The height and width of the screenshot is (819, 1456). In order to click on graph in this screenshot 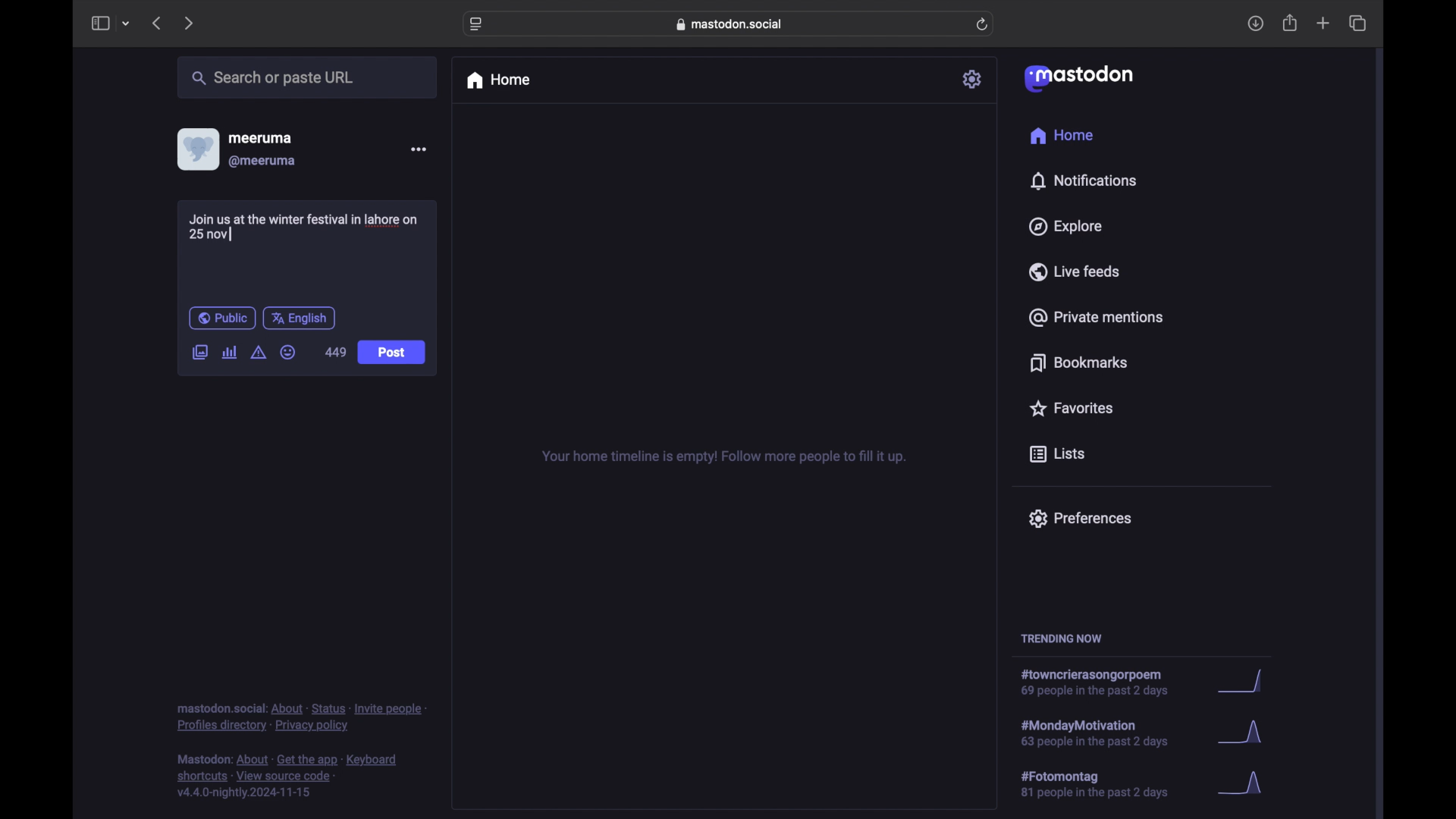, I will do `click(1245, 784)`.